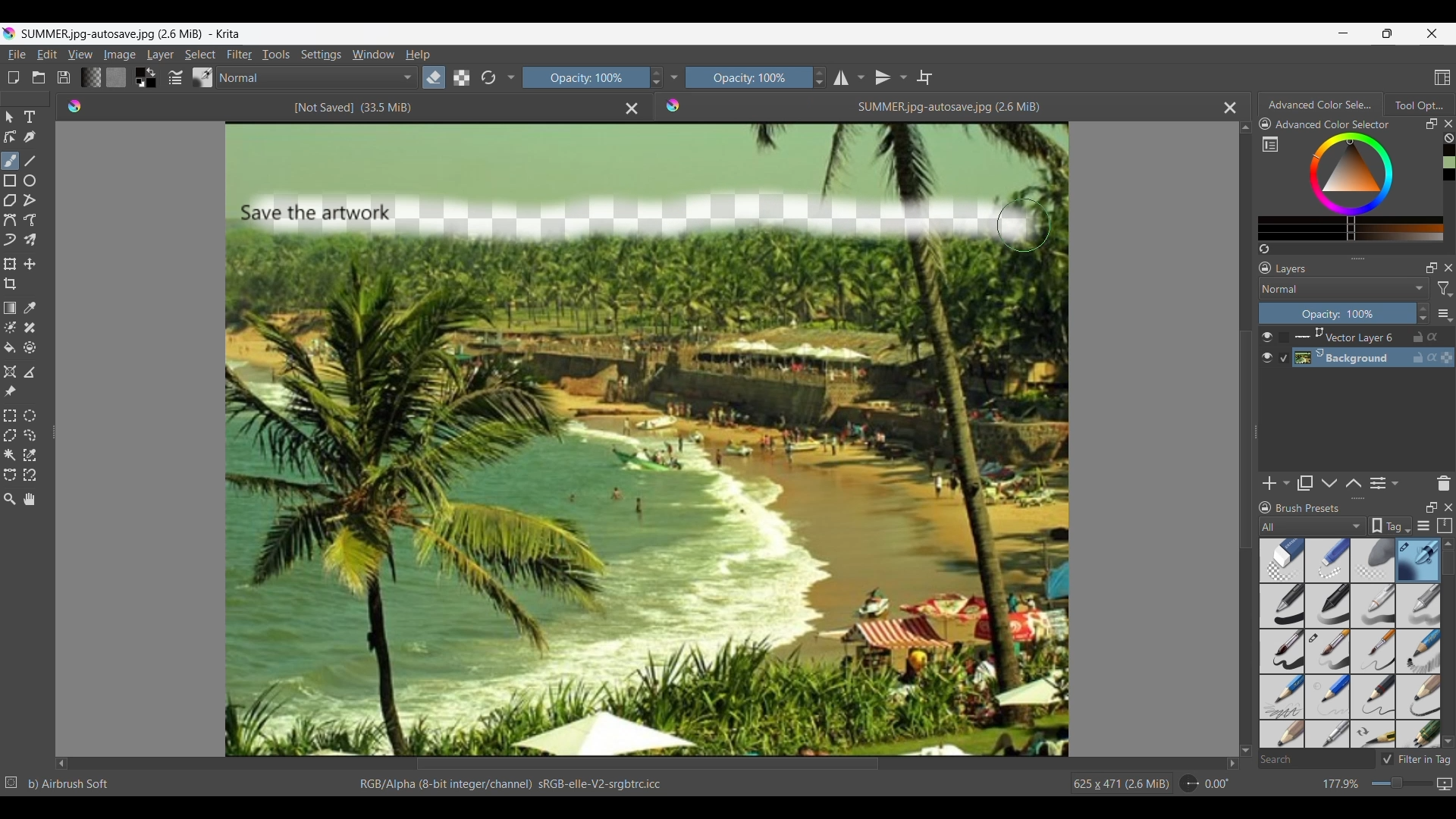 The width and height of the screenshot is (1456, 819). I want to click on Polyline tool, so click(30, 200).